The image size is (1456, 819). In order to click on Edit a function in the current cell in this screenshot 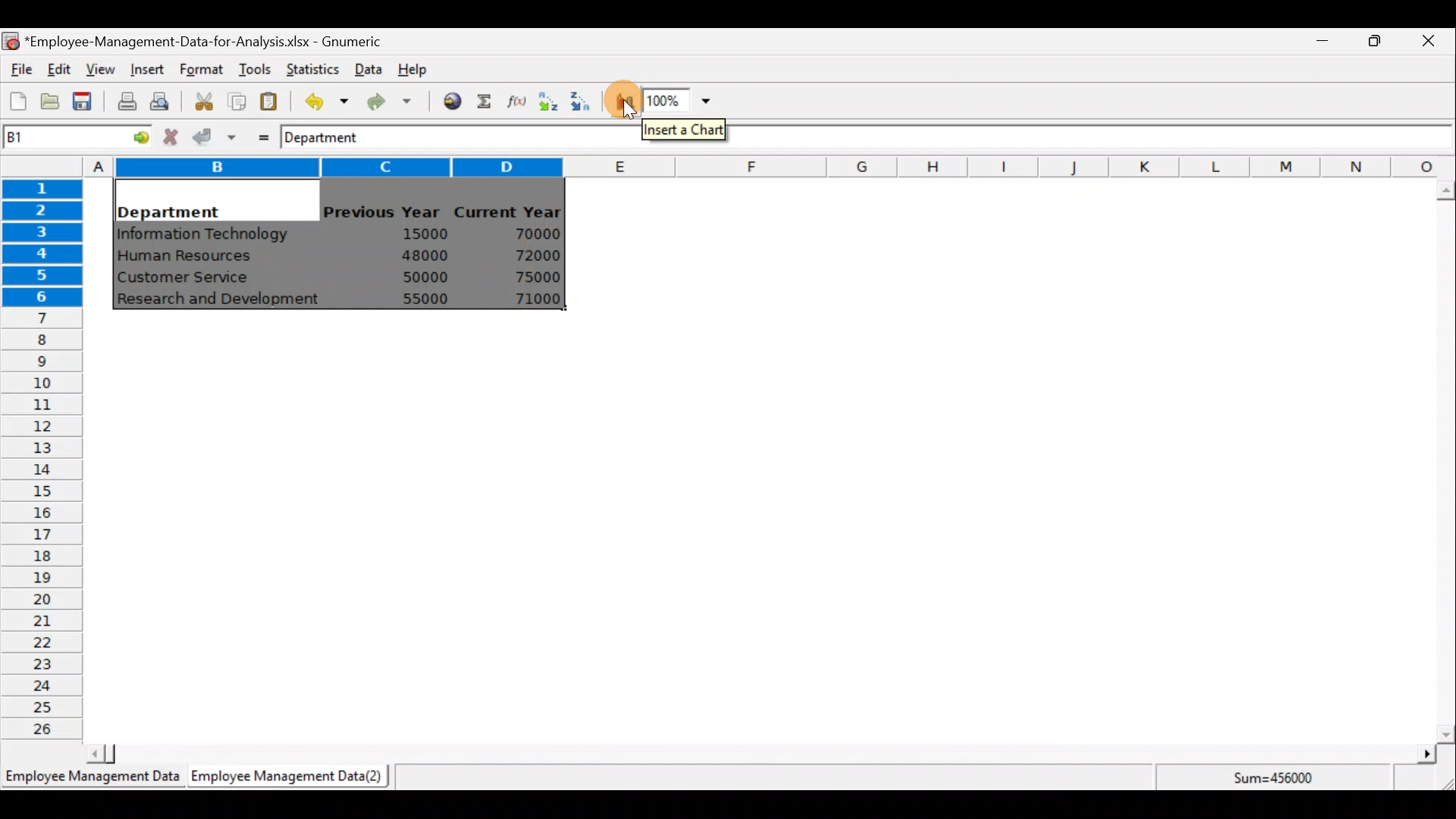, I will do `click(516, 100)`.